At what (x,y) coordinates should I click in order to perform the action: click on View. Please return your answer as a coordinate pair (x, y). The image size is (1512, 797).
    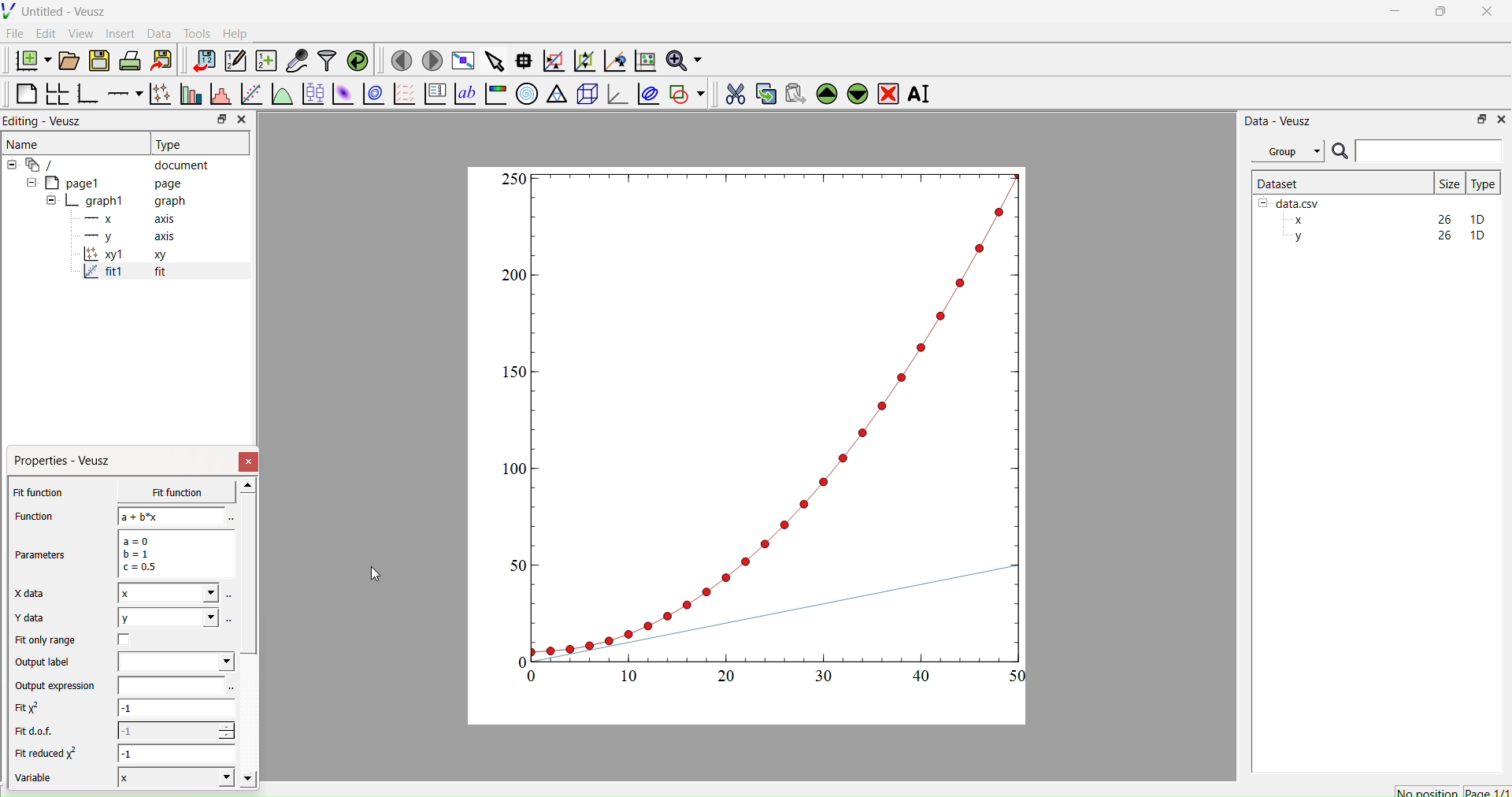
    Looking at the image, I should click on (80, 32).